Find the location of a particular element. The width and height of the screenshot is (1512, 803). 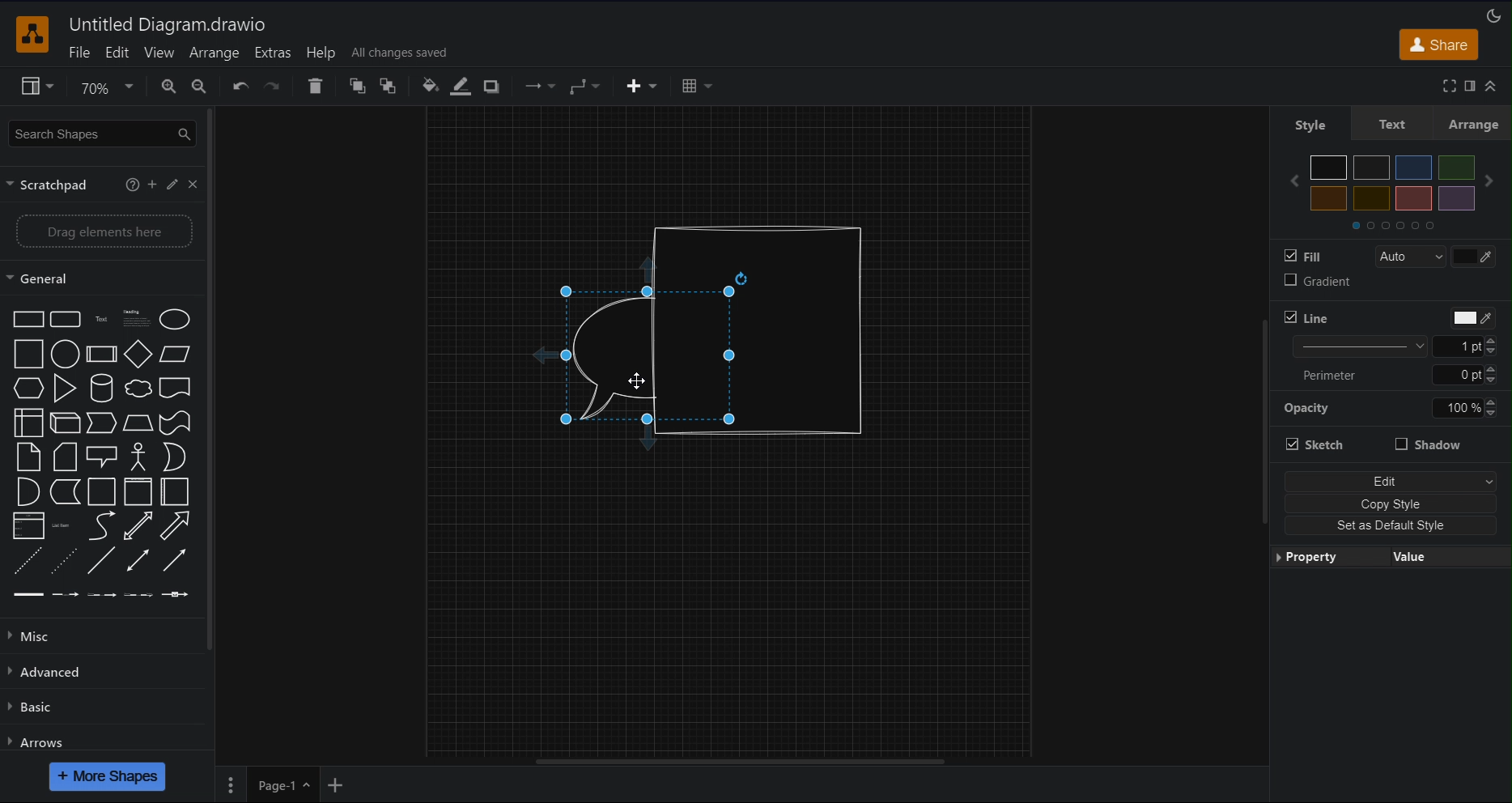

Line thickness options is located at coordinates (1360, 346).